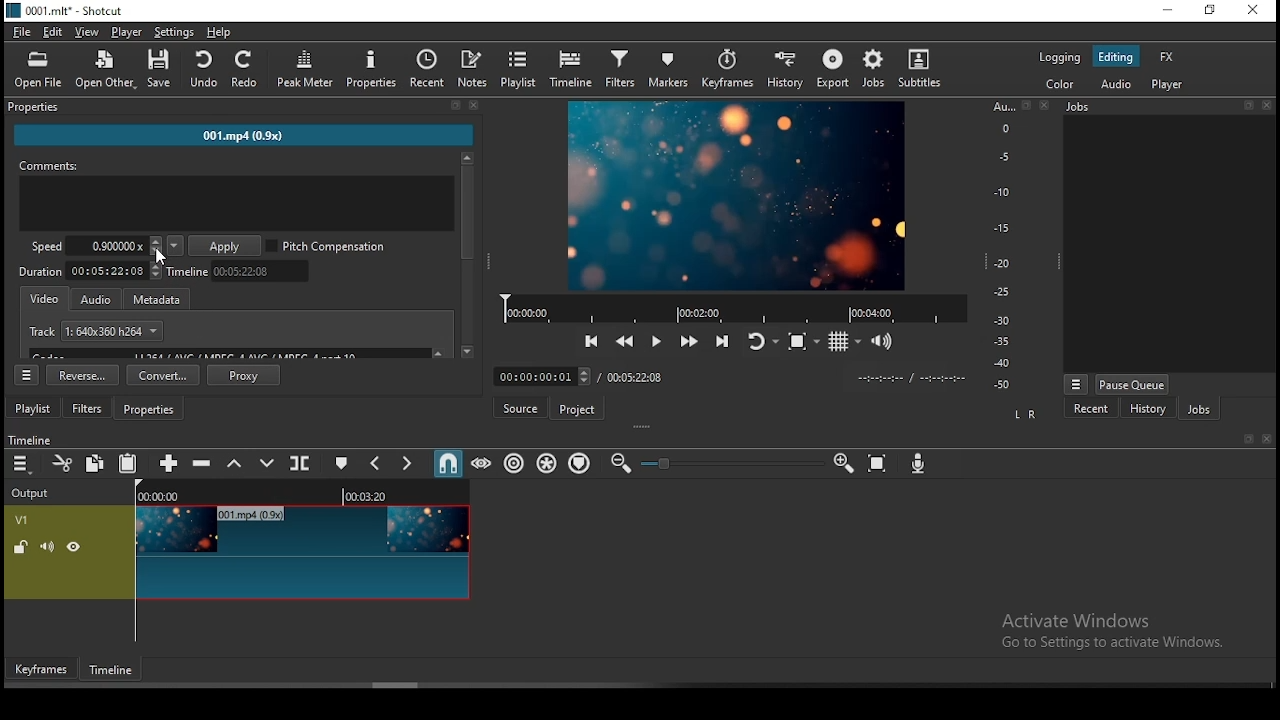 This screenshot has height=720, width=1280. What do you see at coordinates (21, 463) in the screenshot?
I see `timeline menu` at bounding box center [21, 463].